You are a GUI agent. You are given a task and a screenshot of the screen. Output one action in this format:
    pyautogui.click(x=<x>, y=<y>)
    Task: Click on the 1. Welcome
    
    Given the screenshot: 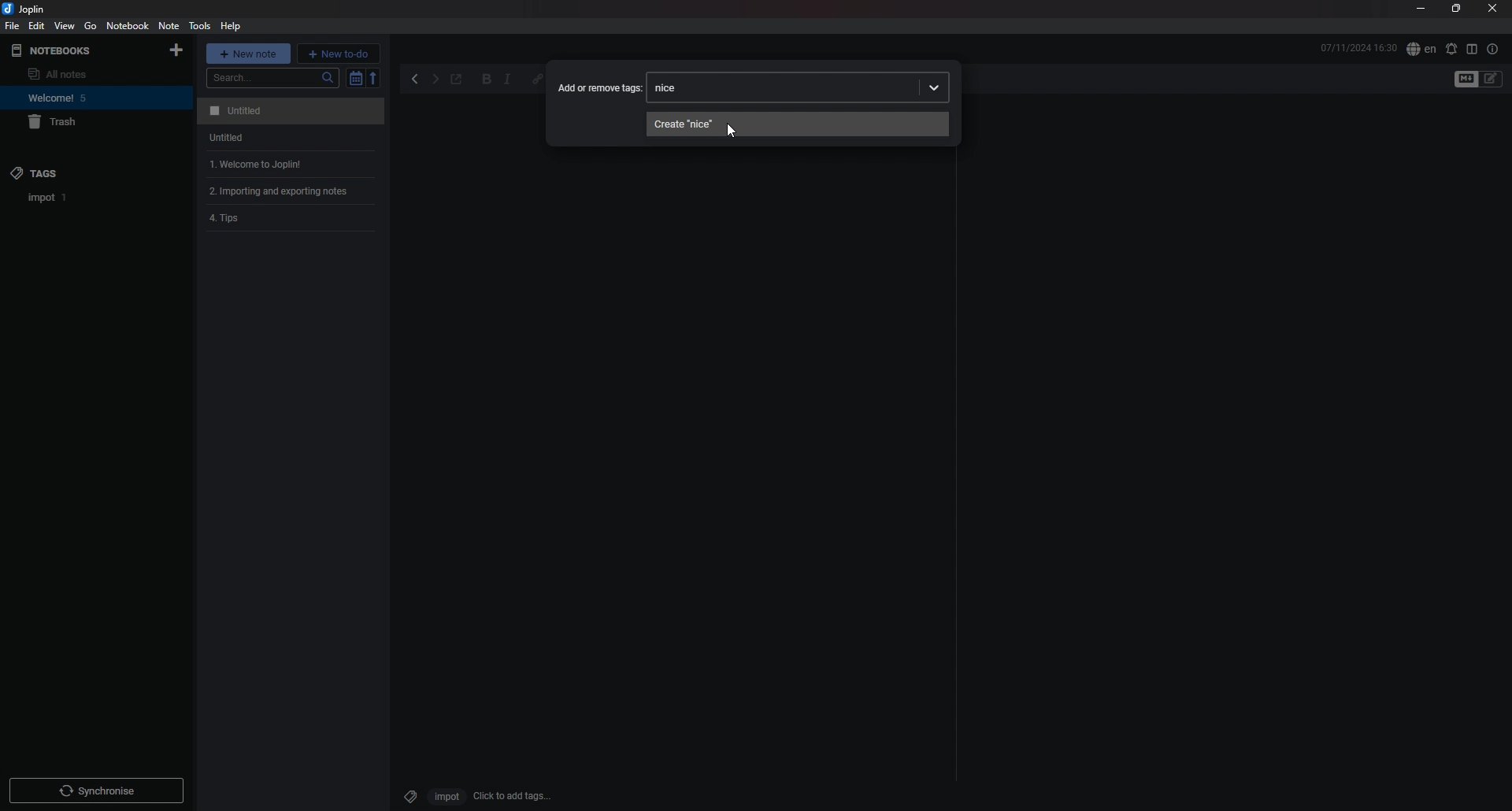 What is the action you would take?
    pyautogui.click(x=250, y=164)
    